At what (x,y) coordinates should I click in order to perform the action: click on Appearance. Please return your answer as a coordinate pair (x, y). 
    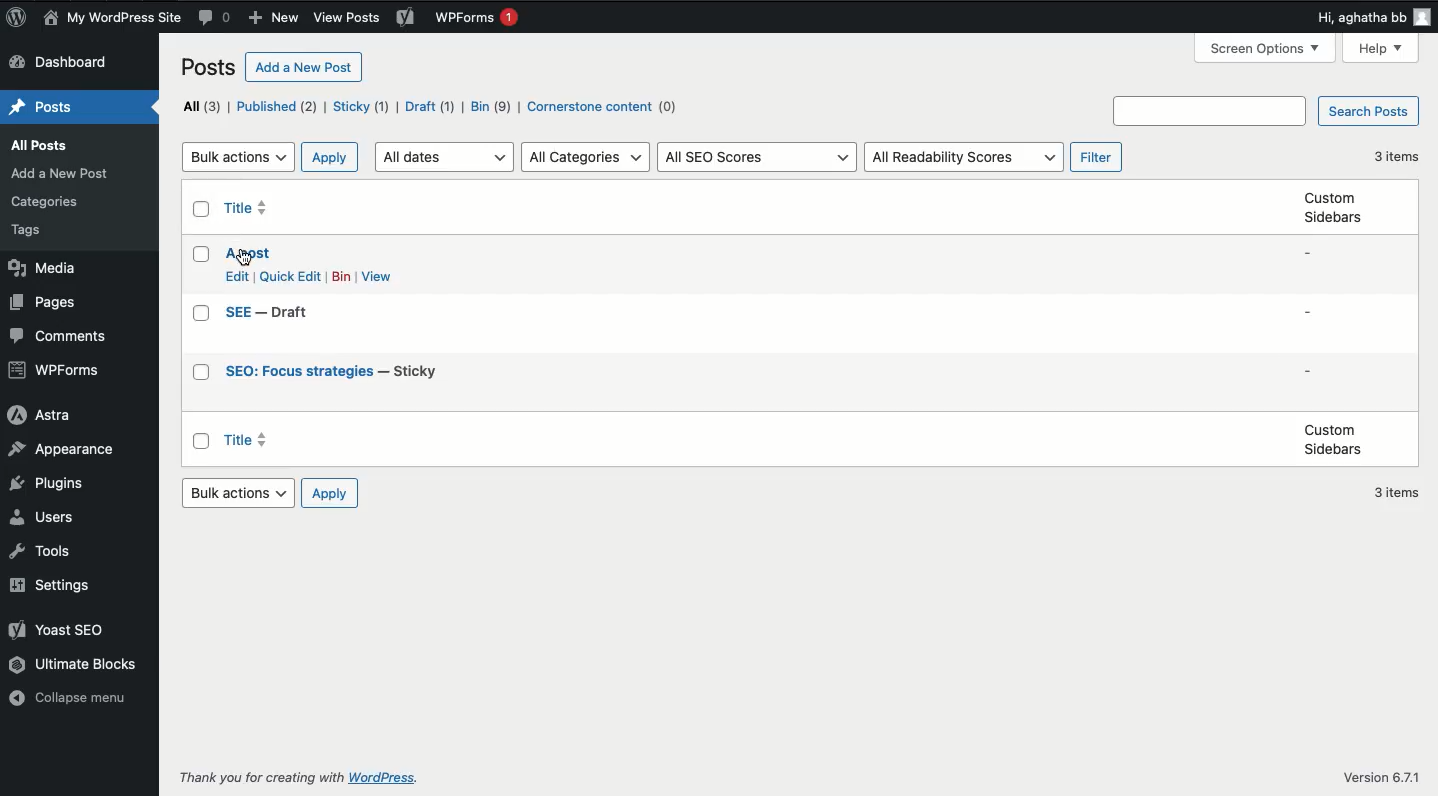
    Looking at the image, I should click on (59, 445).